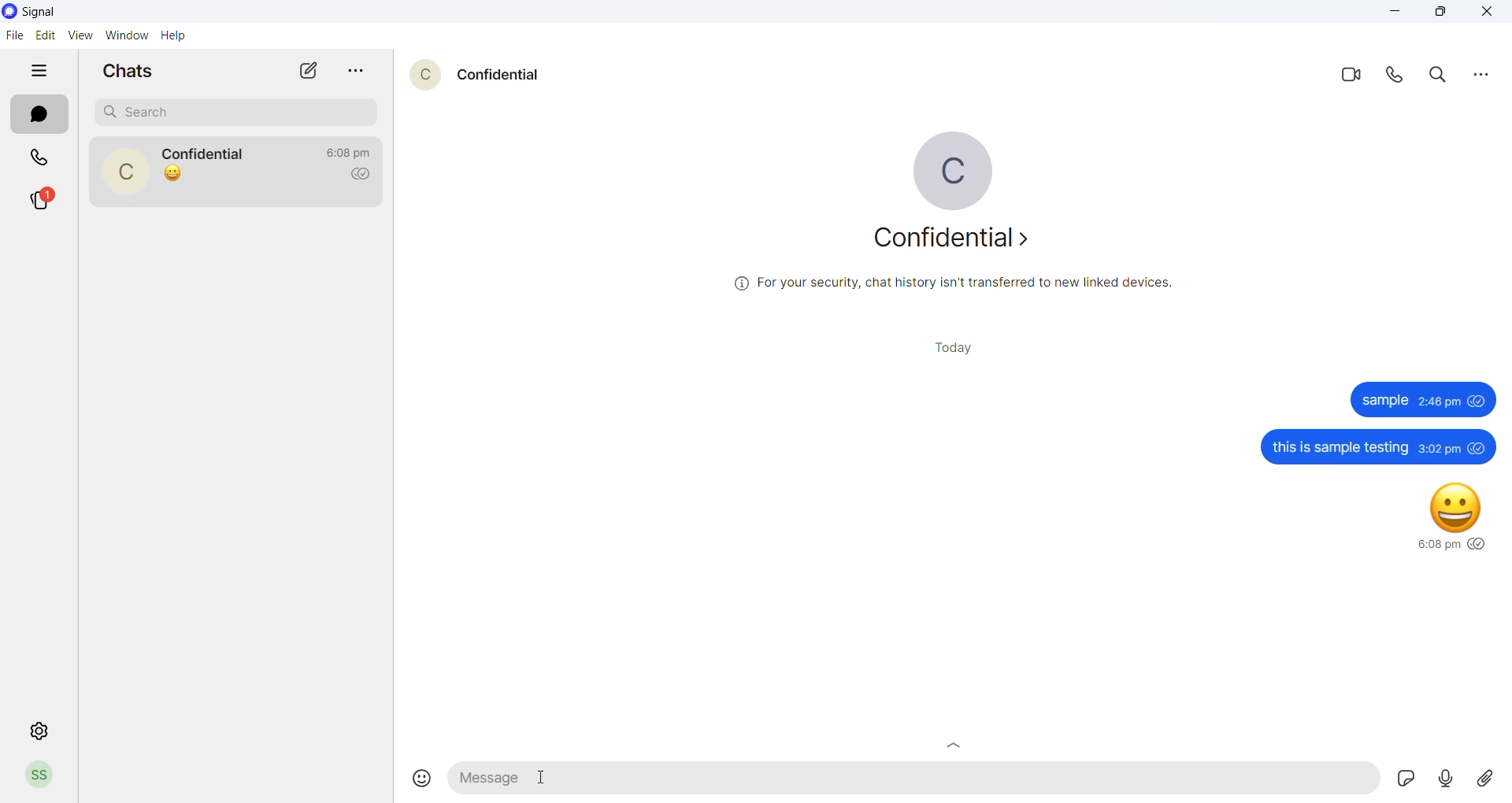  Describe the element at coordinates (1492, 779) in the screenshot. I see `share attachment` at that location.